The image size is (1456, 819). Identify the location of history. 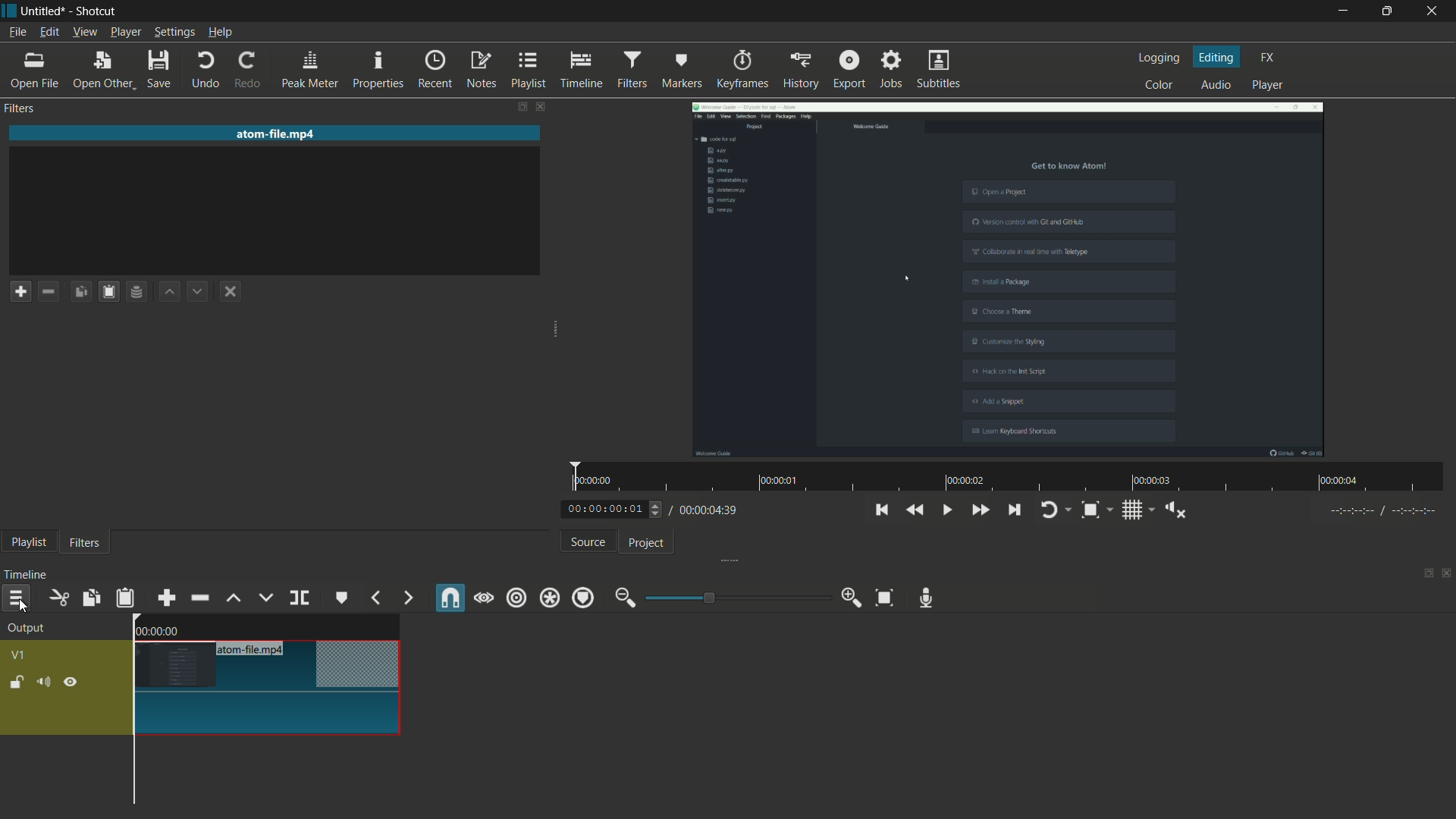
(801, 70).